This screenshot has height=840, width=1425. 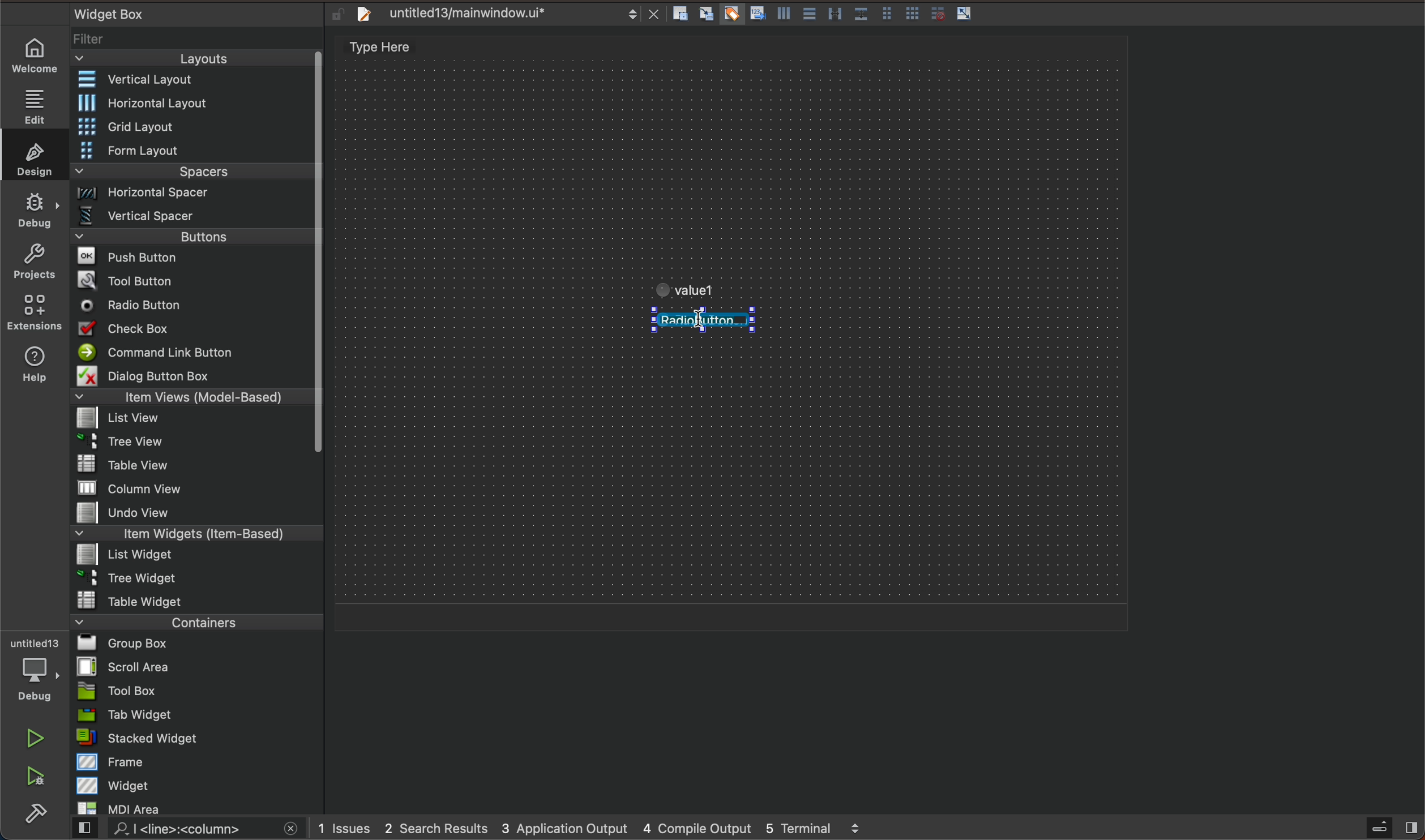 What do you see at coordinates (192, 353) in the screenshot?
I see `command line` at bounding box center [192, 353].